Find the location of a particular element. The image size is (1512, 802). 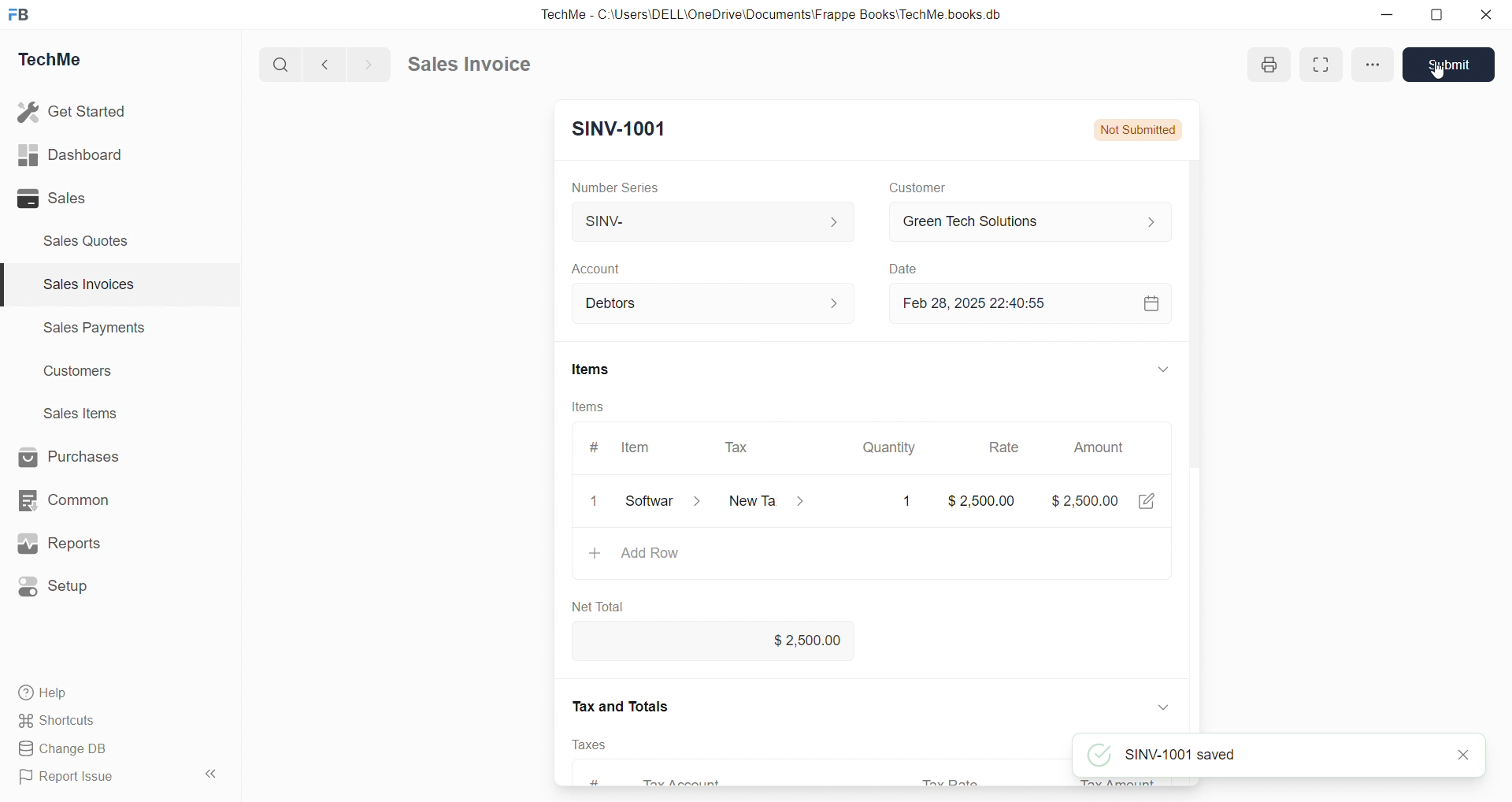

edit is located at coordinates (1146, 499).